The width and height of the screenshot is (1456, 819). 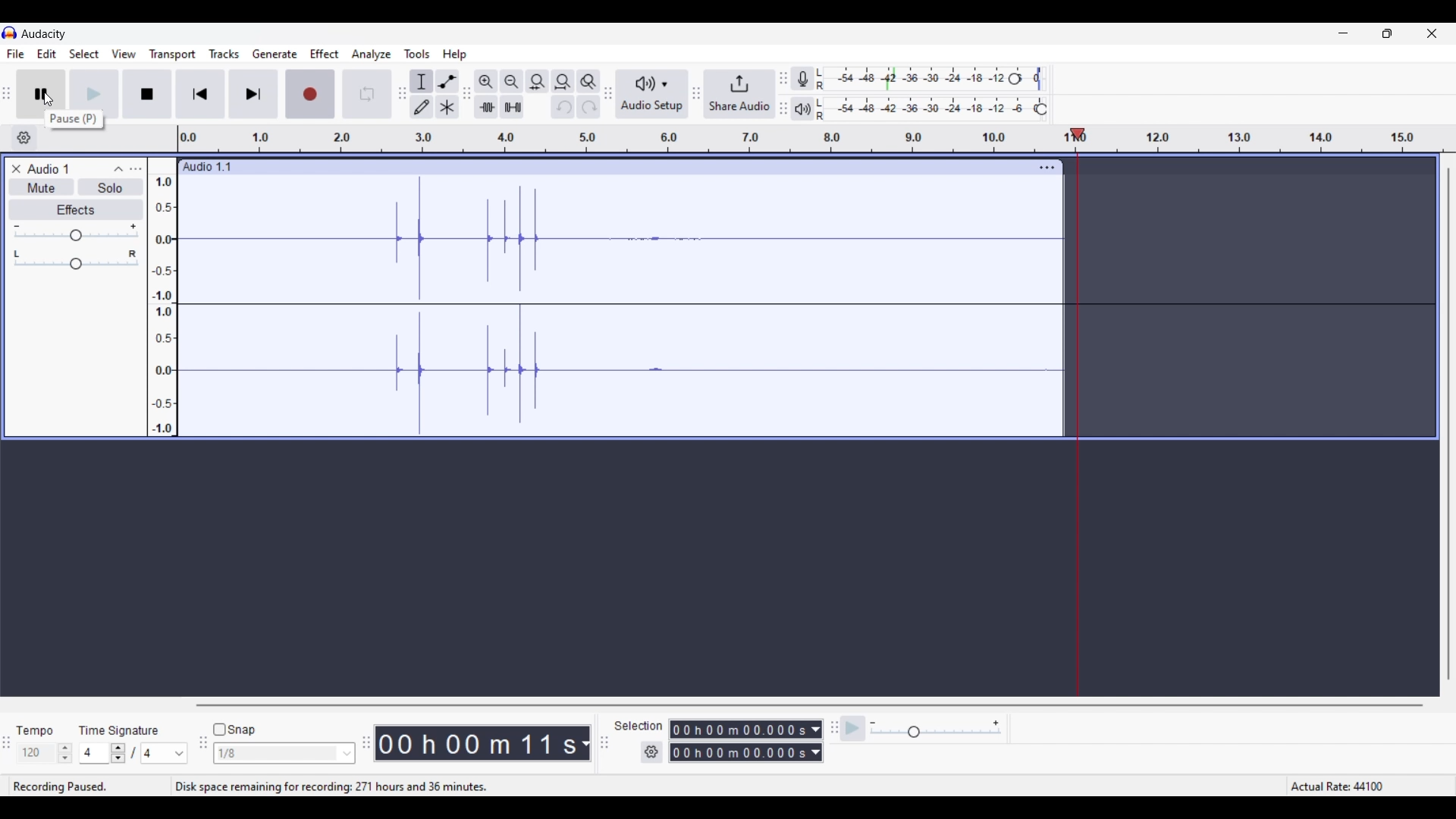 I want to click on Envelop tool, so click(x=447, y=81).